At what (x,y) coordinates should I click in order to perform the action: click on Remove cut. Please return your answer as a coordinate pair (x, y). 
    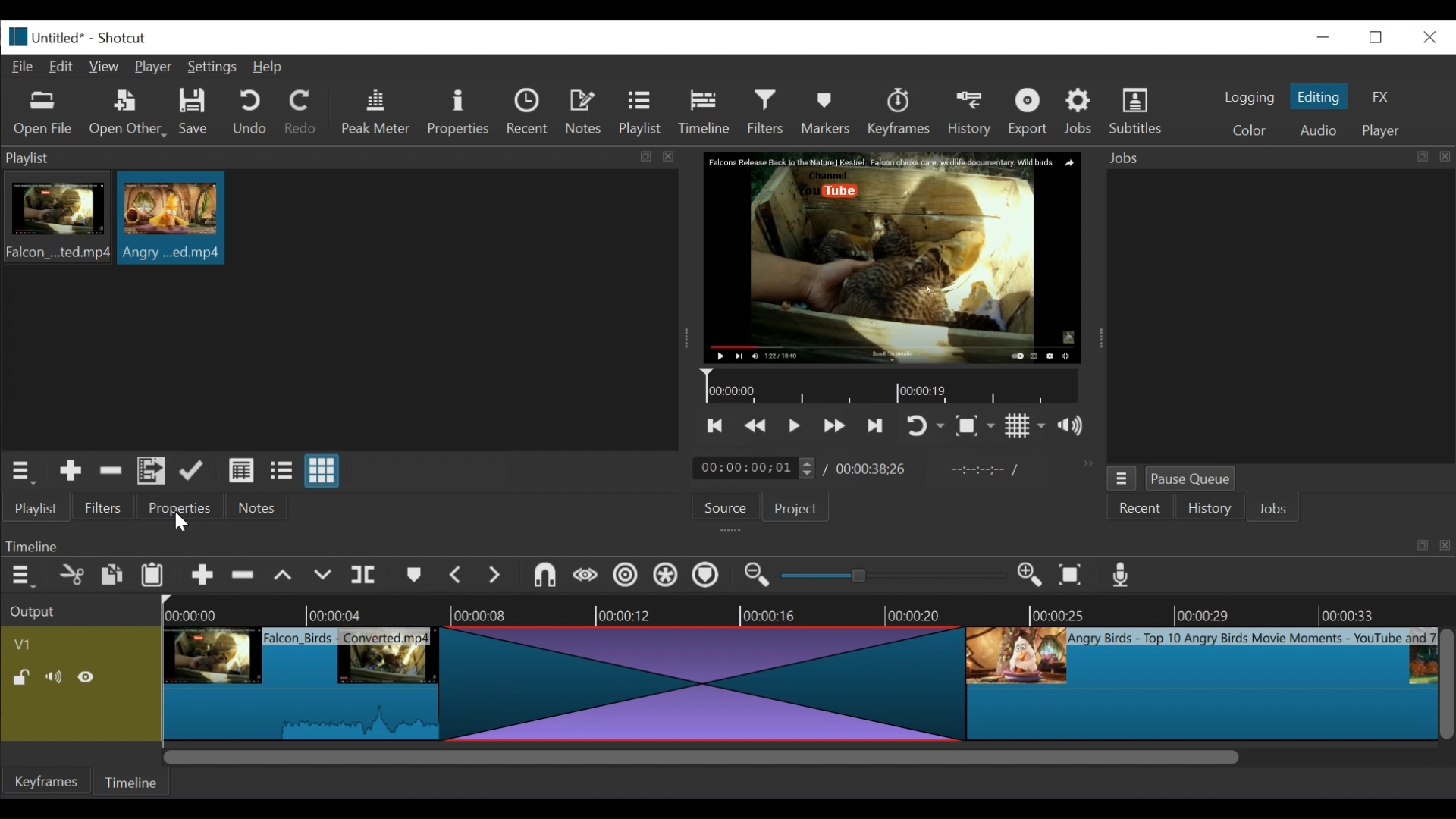
    Looking at the image, I should click on (111, 473).